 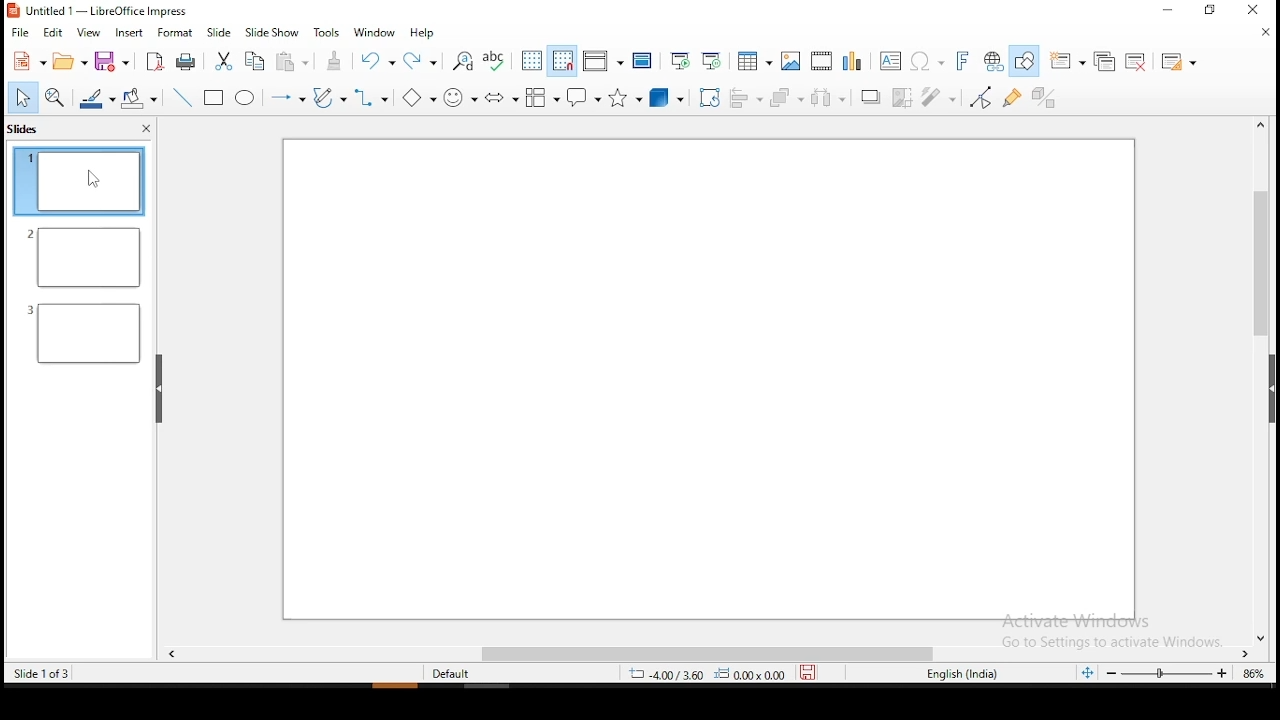 What do you see at coordinates (1209, 13) in the screenshot?
I see `restore` at bounding box center [1209, 13].